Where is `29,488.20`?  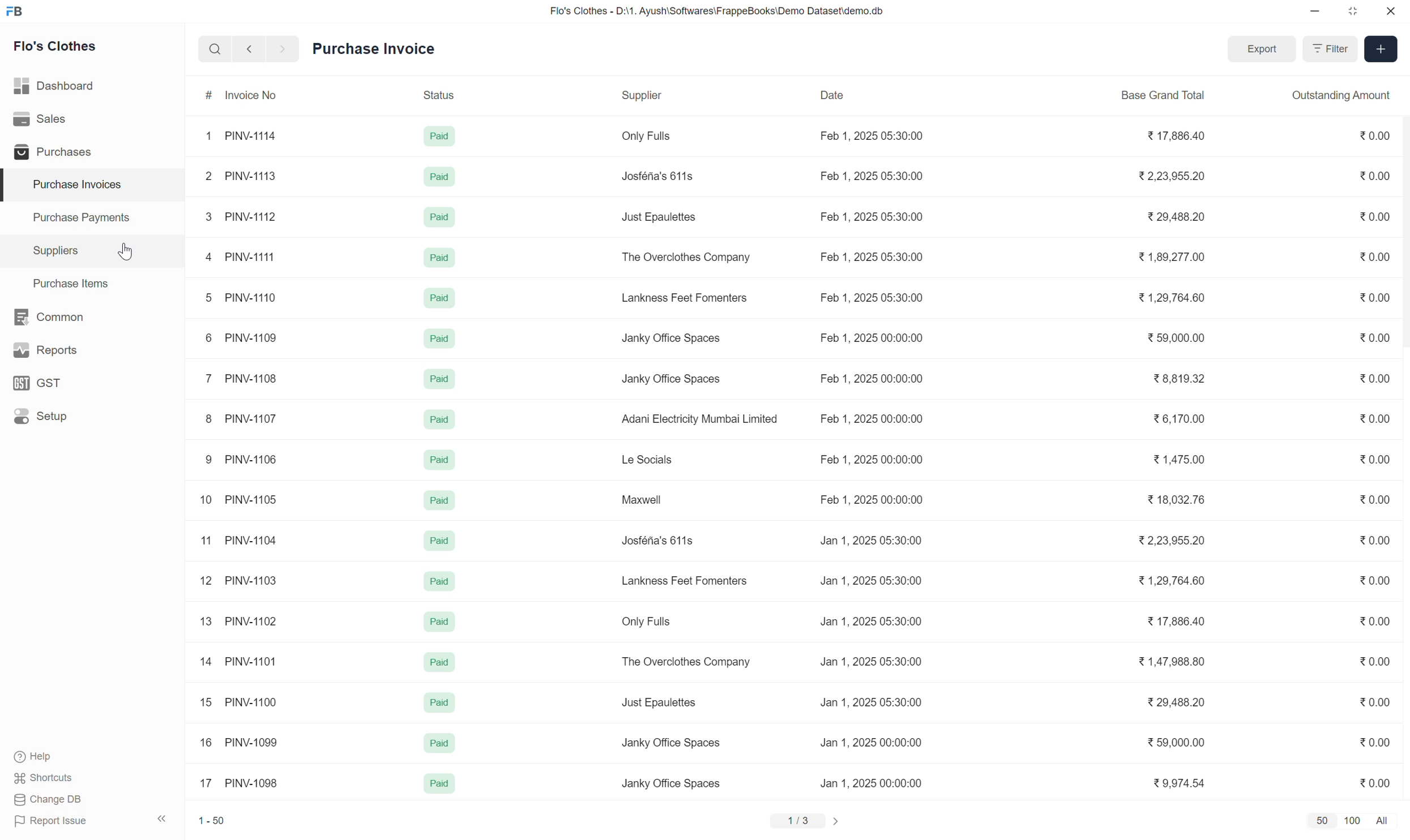 29,488.20 is located at coordinates (1177, 217).